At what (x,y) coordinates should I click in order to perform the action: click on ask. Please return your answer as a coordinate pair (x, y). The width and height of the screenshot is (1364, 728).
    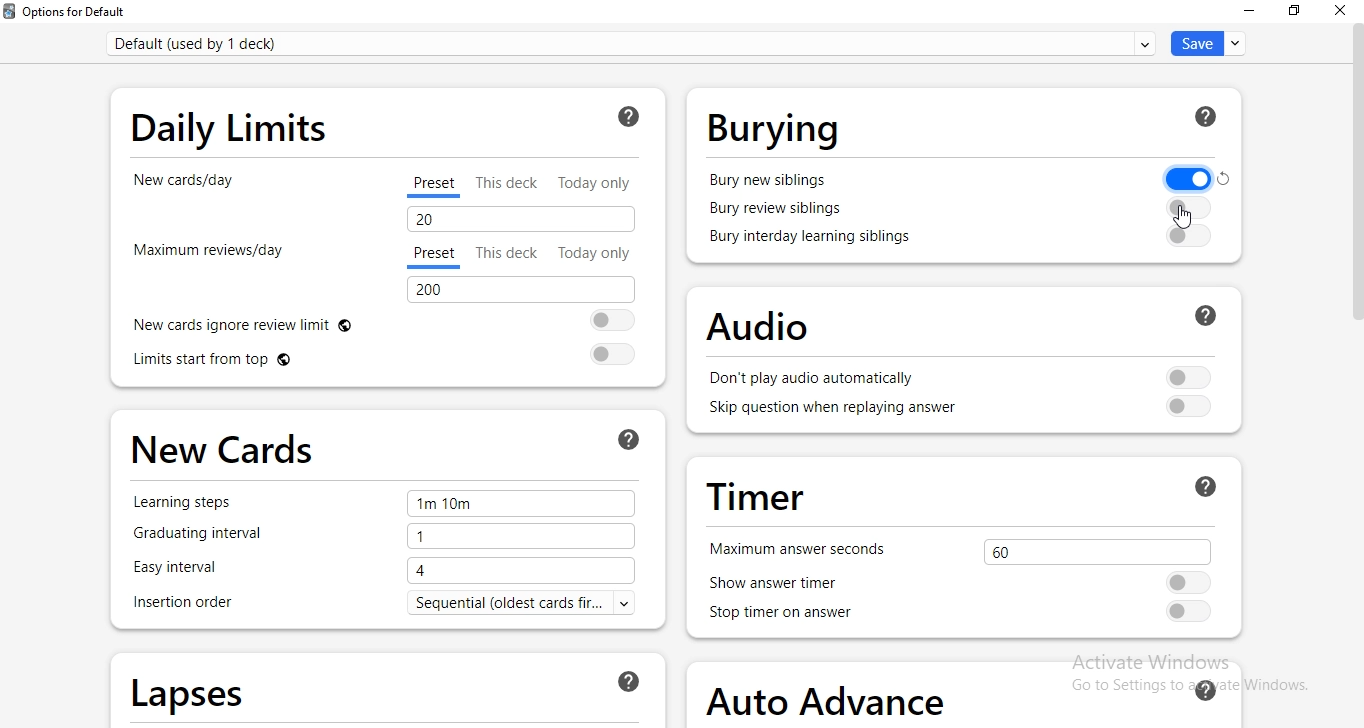
    Looking at the image, I should click on (1204, 687).